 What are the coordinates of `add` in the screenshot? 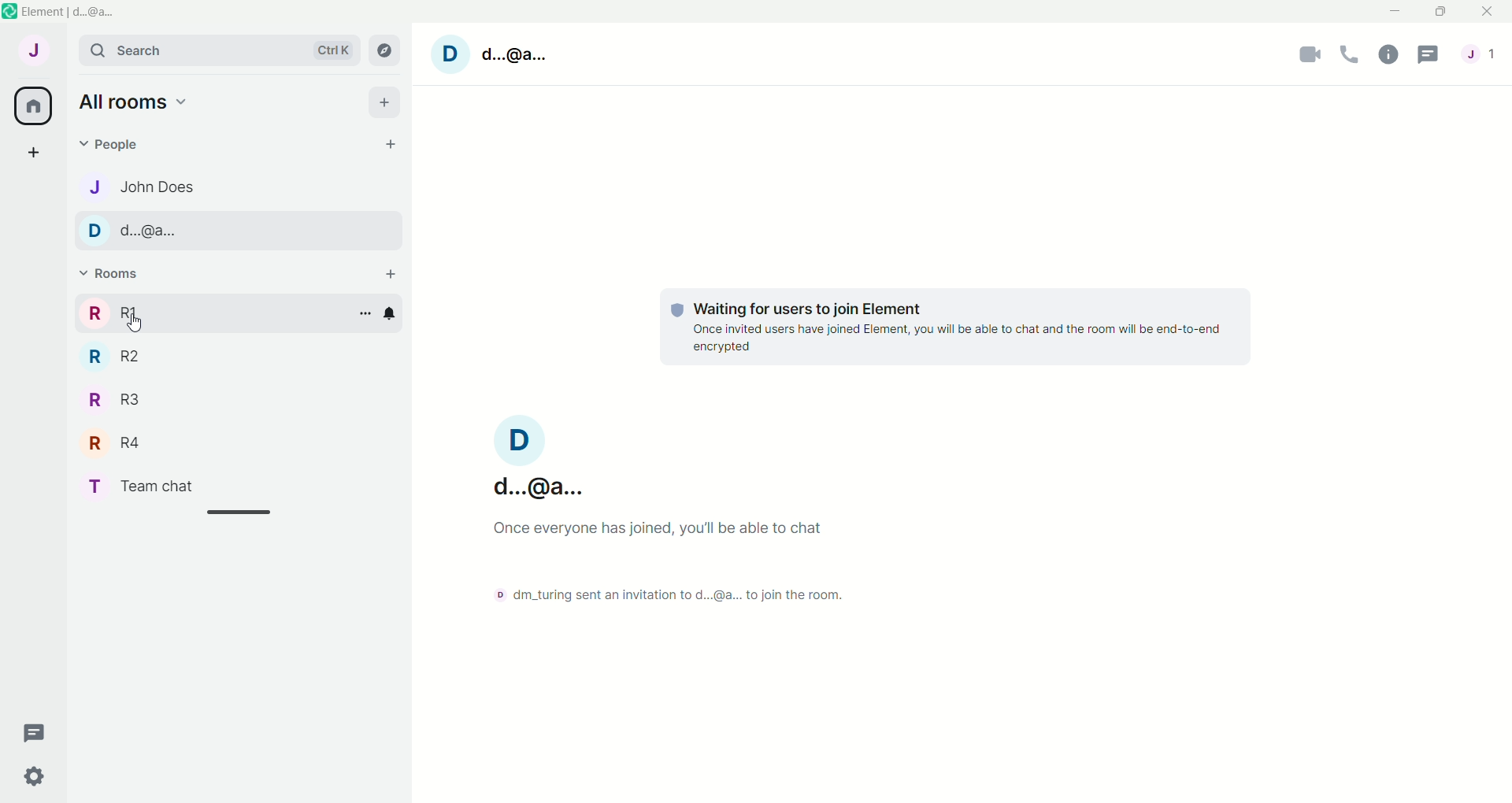 It's located at (386, 102).